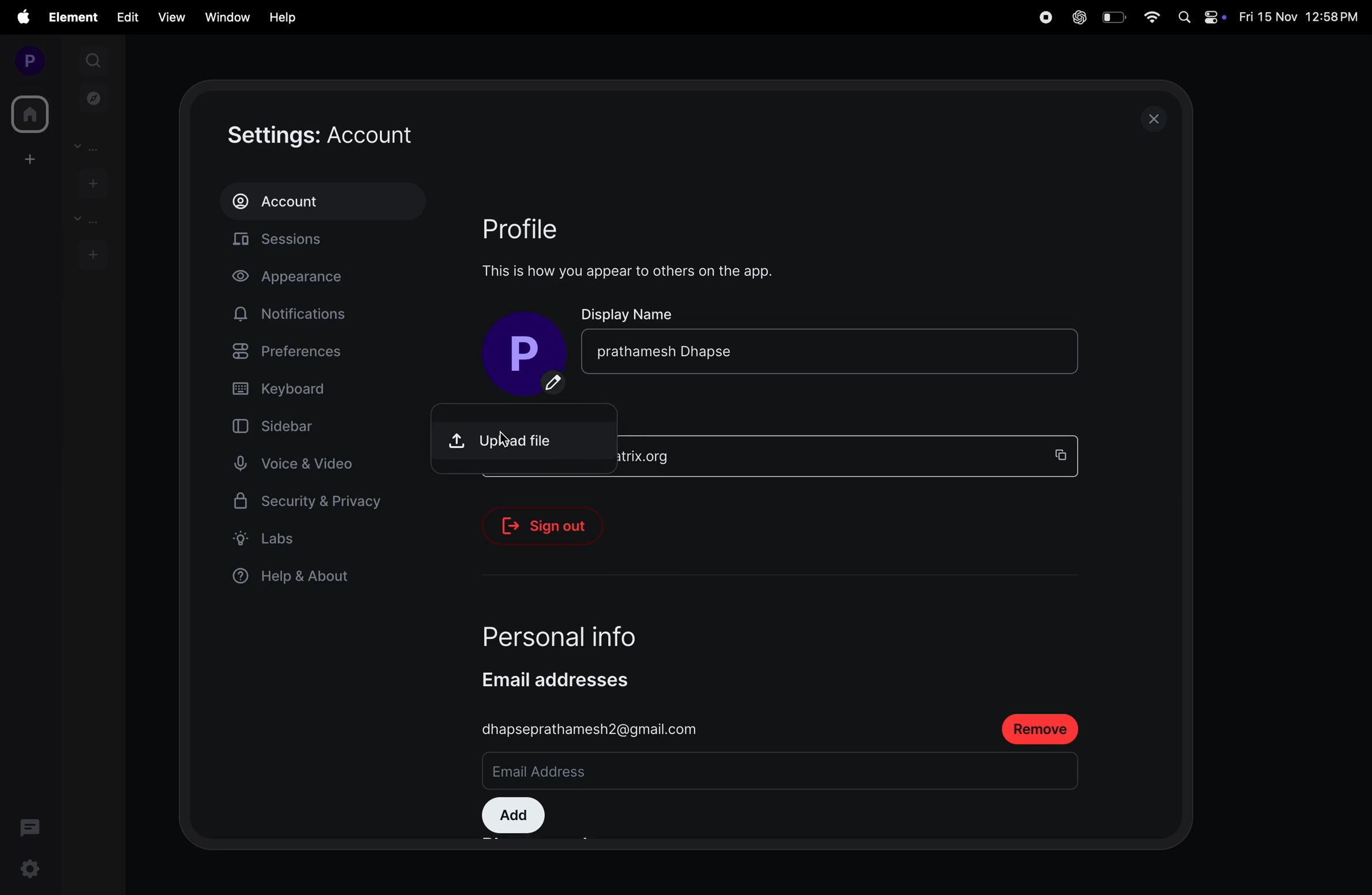  Describe the element at coordinates (84, 220) in the screenshot. I see `rooms` at that location.